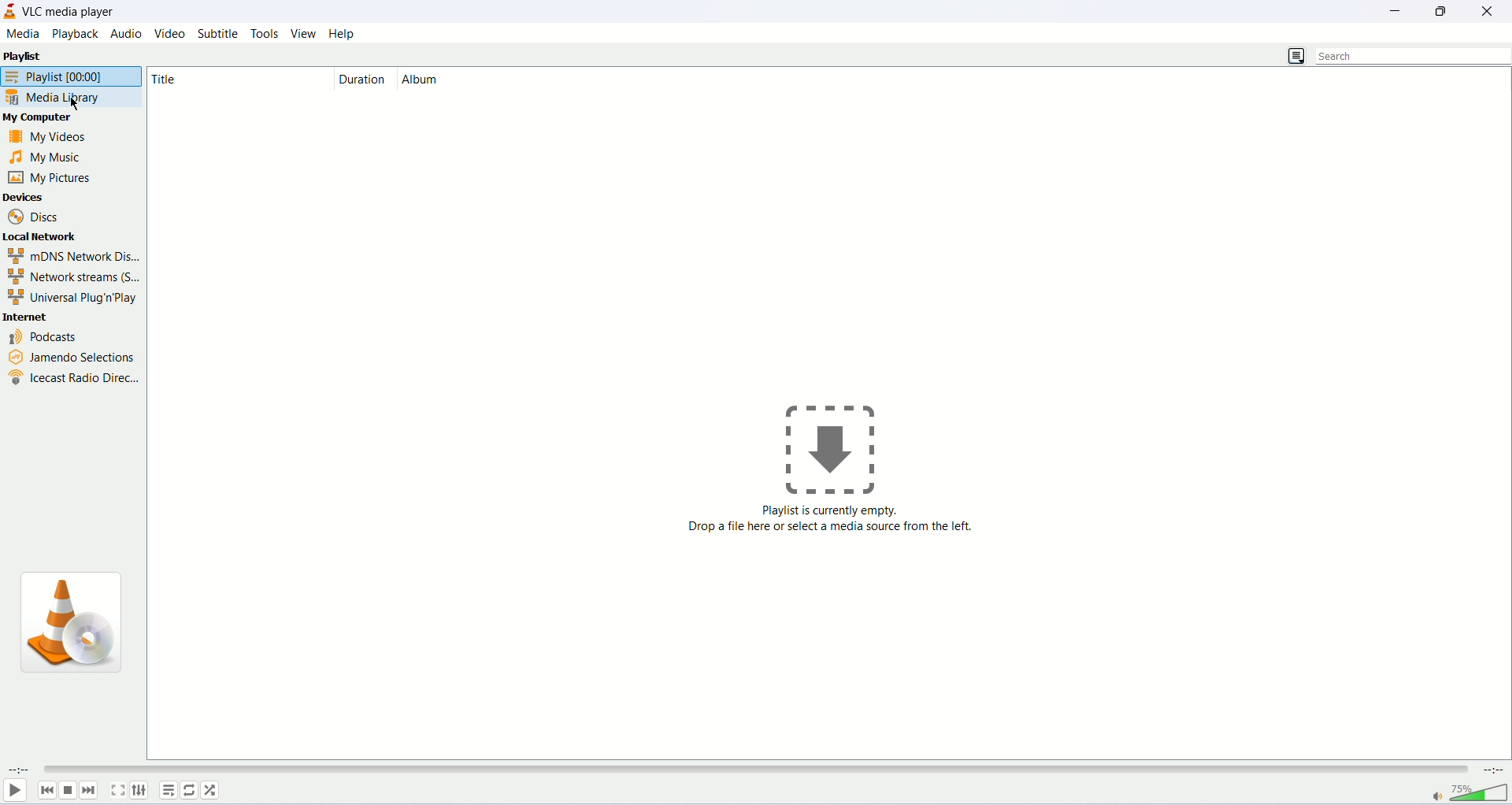 This screenshot has height=805, width=1512. Describe the element at coordinates (265, 34) in the screenshot. I see `tools` at that location.